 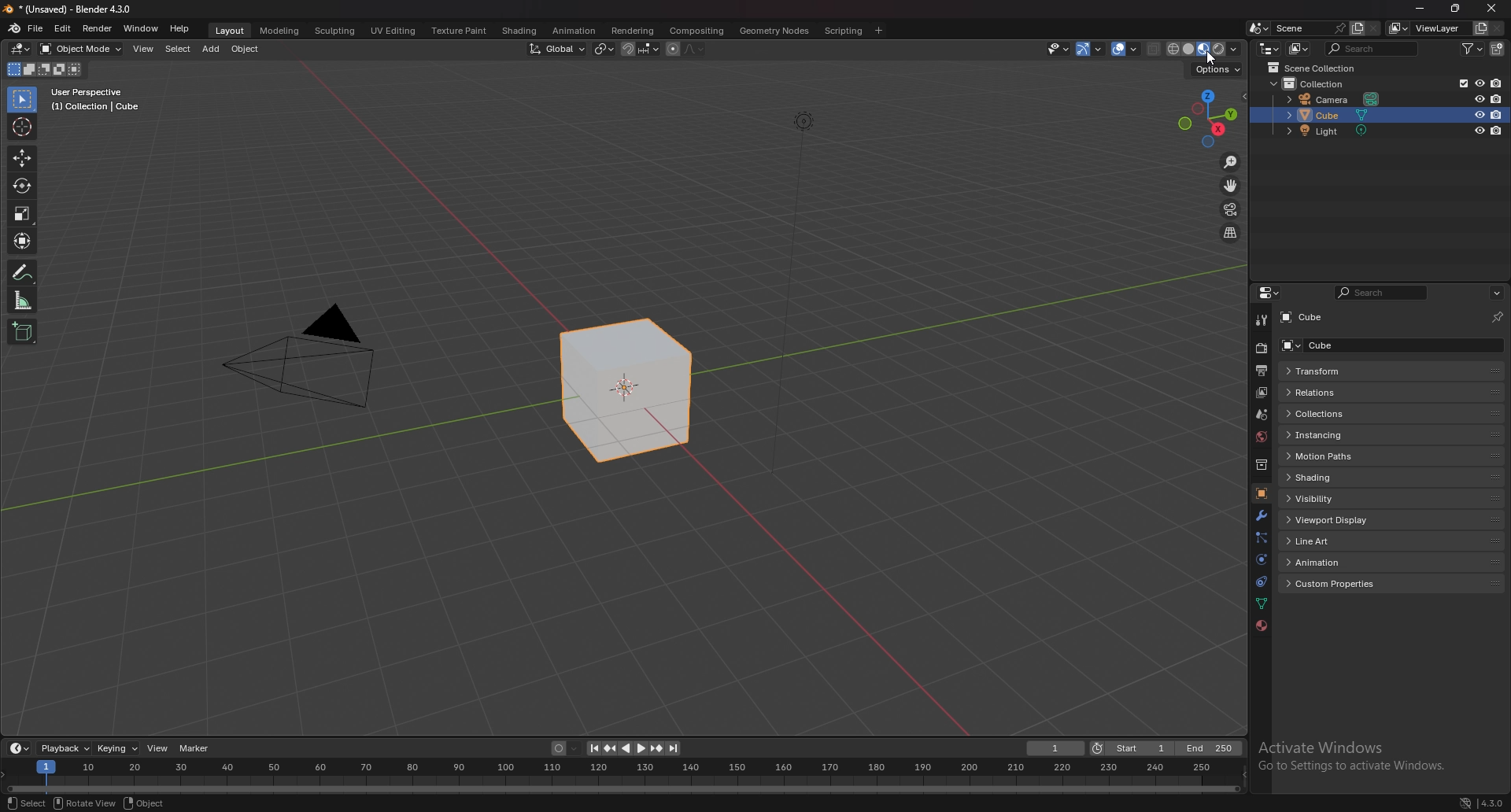 I want to click on instancing, so click(x=1360, y=436).